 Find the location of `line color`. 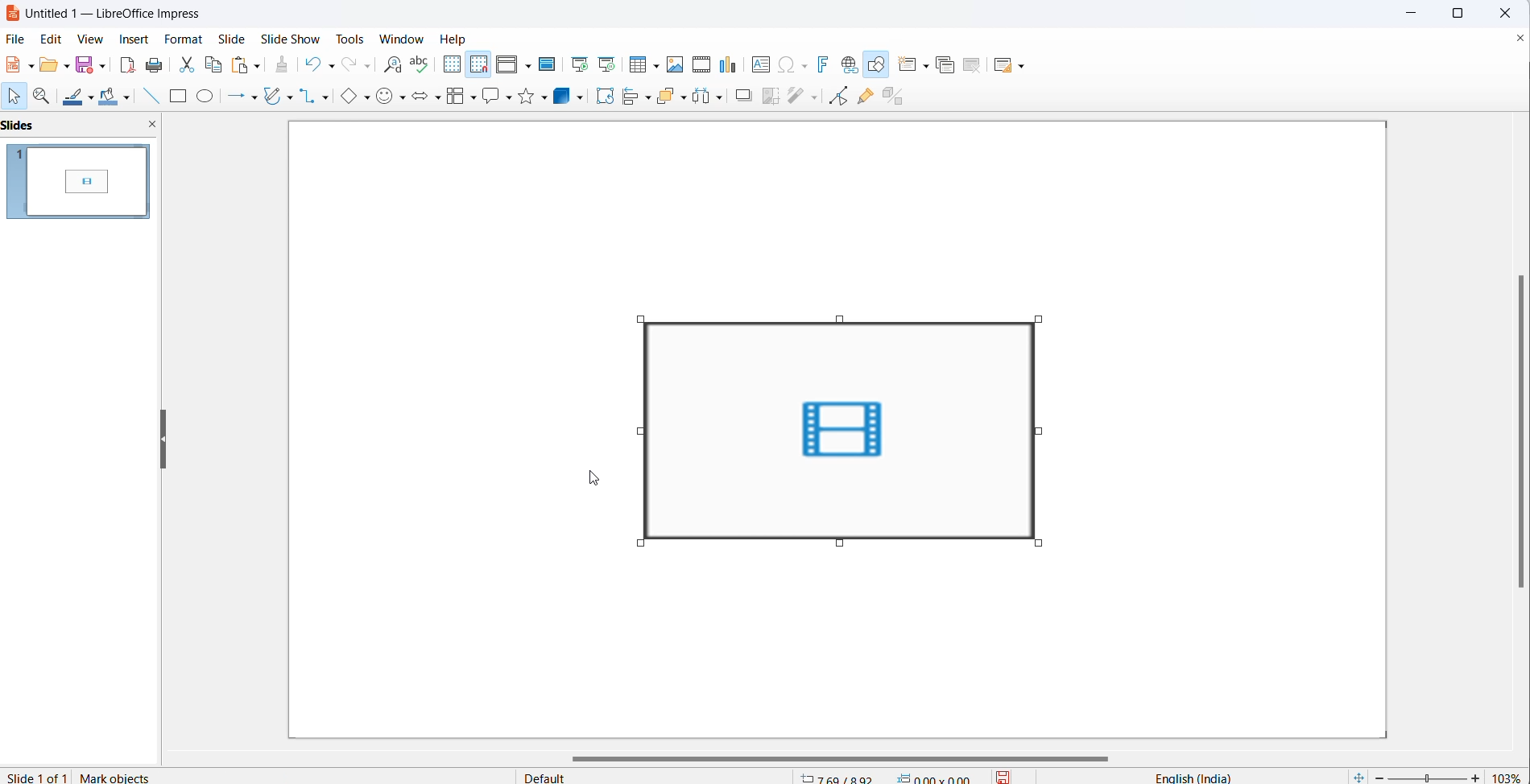

line color is located at coordinates (93, 97).